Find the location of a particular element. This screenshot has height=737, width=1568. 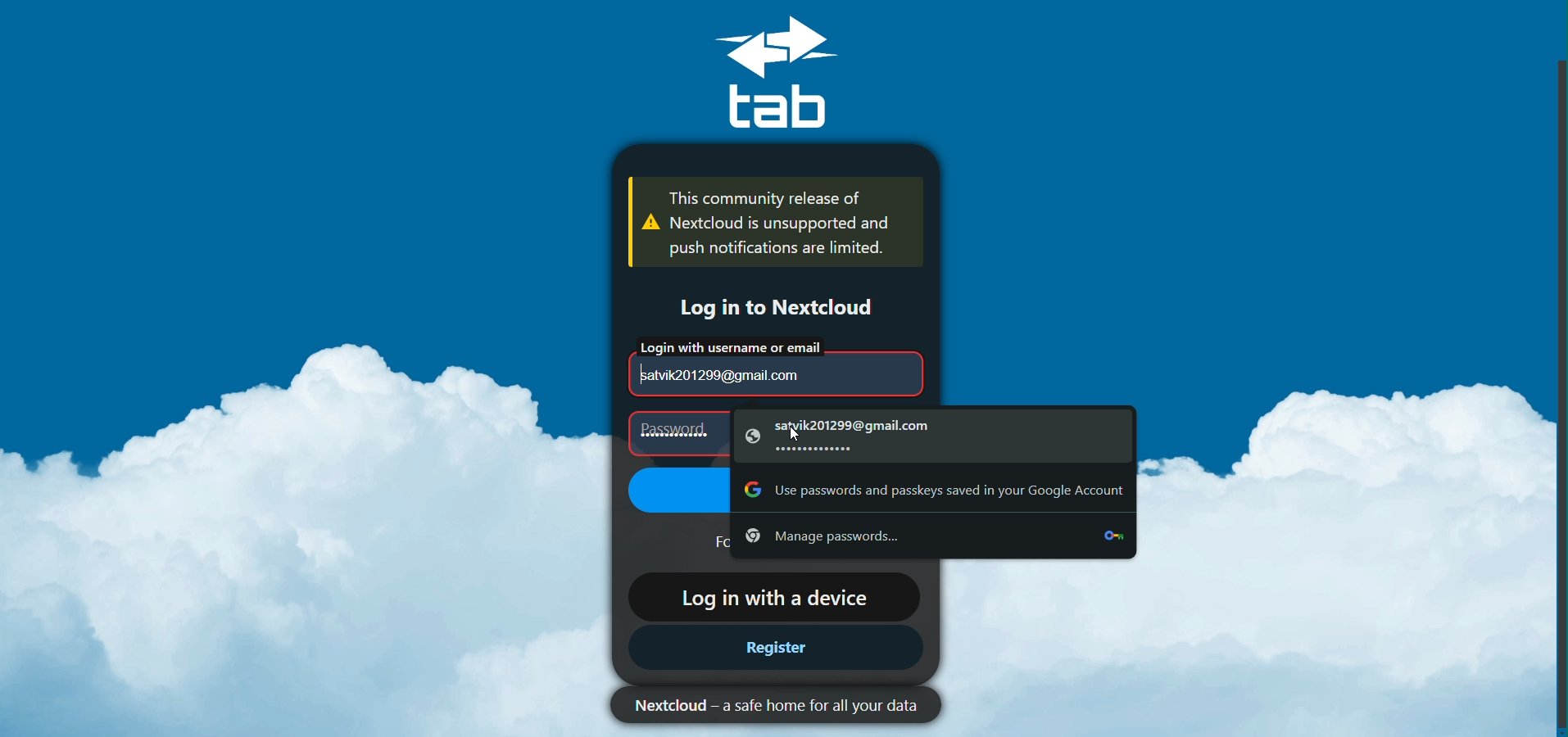

Nextcloud - a safe home for all your data is located at coordinates (765, 705).